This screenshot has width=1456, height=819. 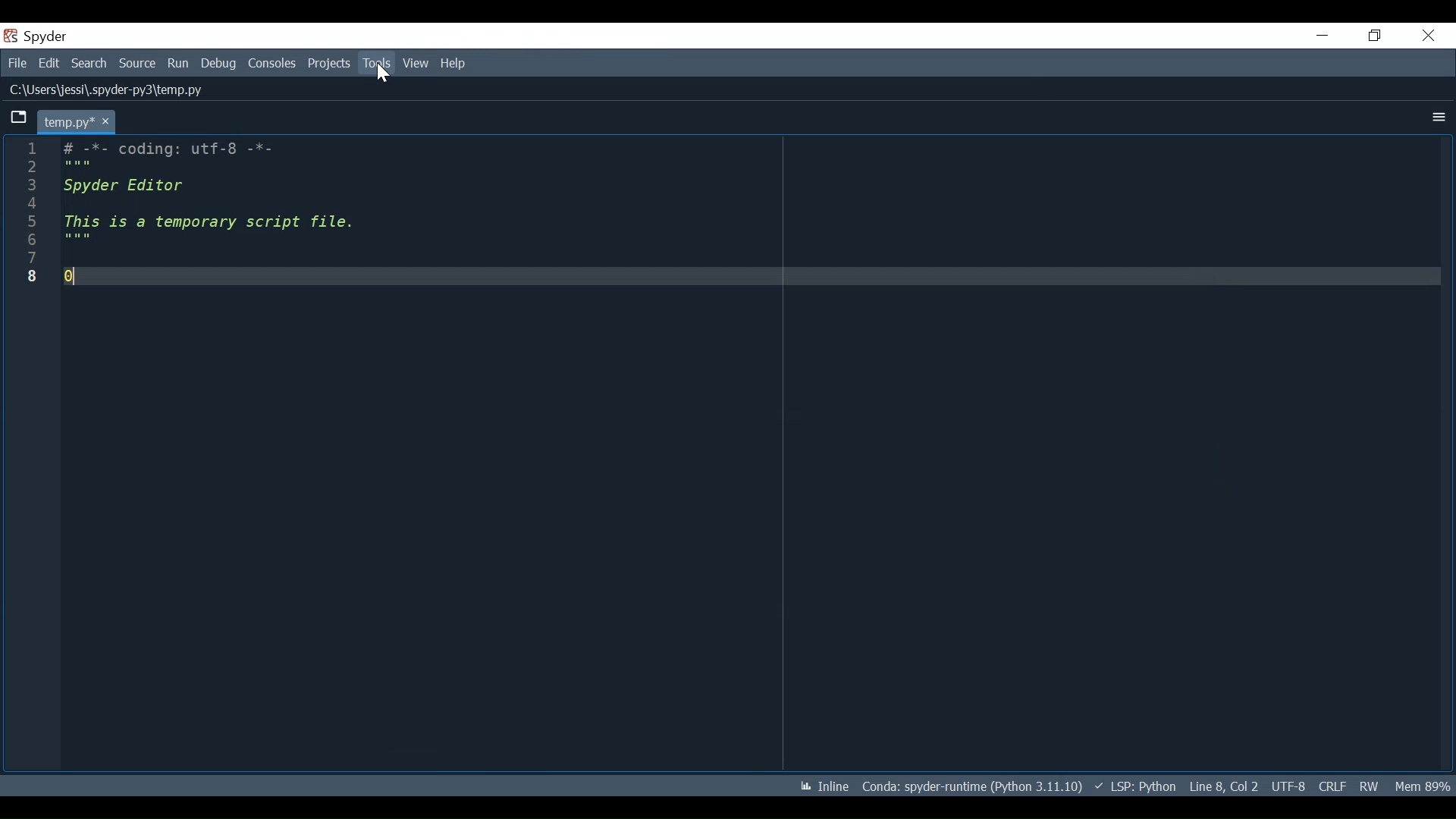 What do you see at coordinates (665, 349) in the screenshot?
I see ` Editor having some python comment strings` at bounding box center [665, 349].